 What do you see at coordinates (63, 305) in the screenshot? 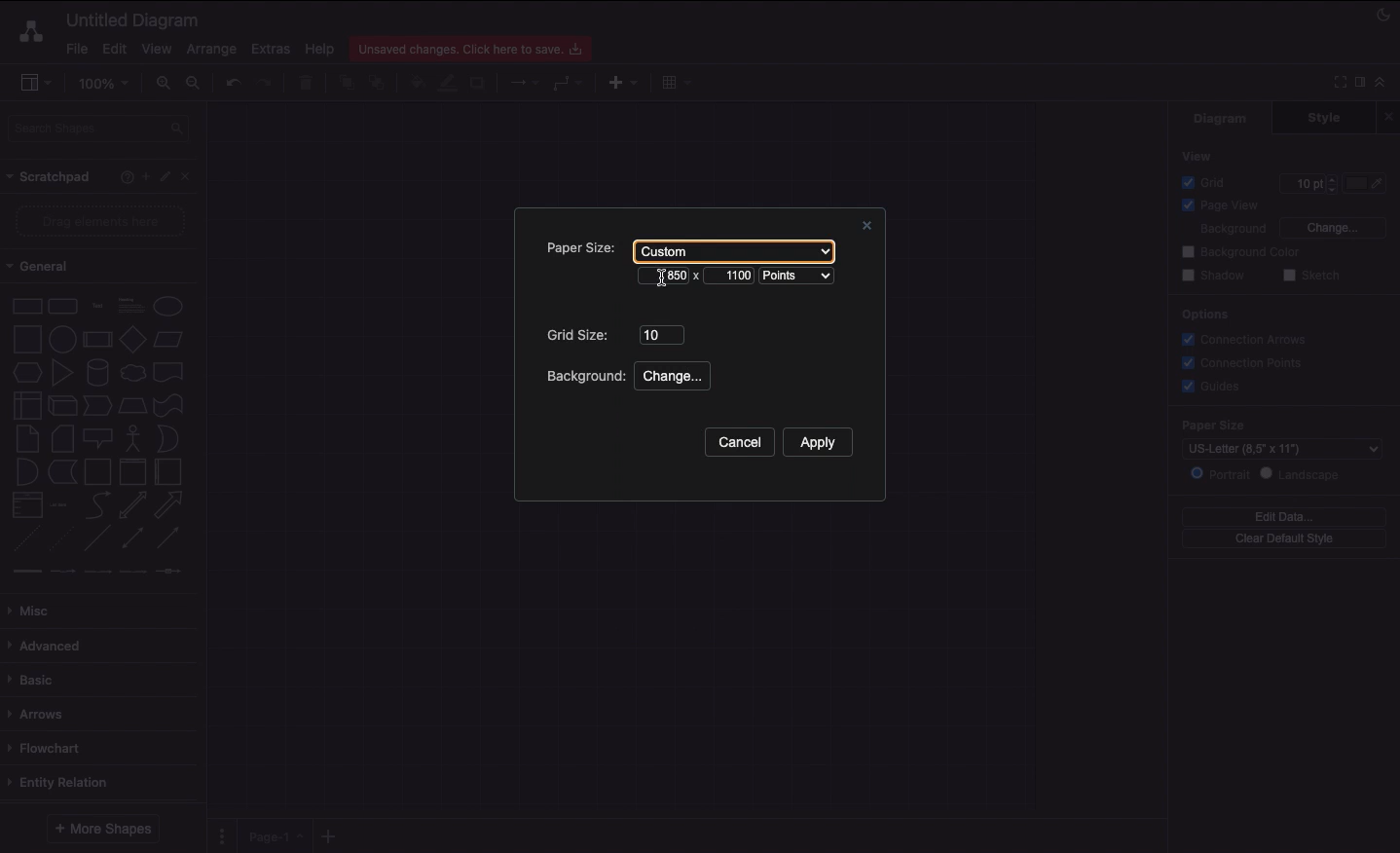
I see `Rounded rectangle` at bounding box center [63, 305].